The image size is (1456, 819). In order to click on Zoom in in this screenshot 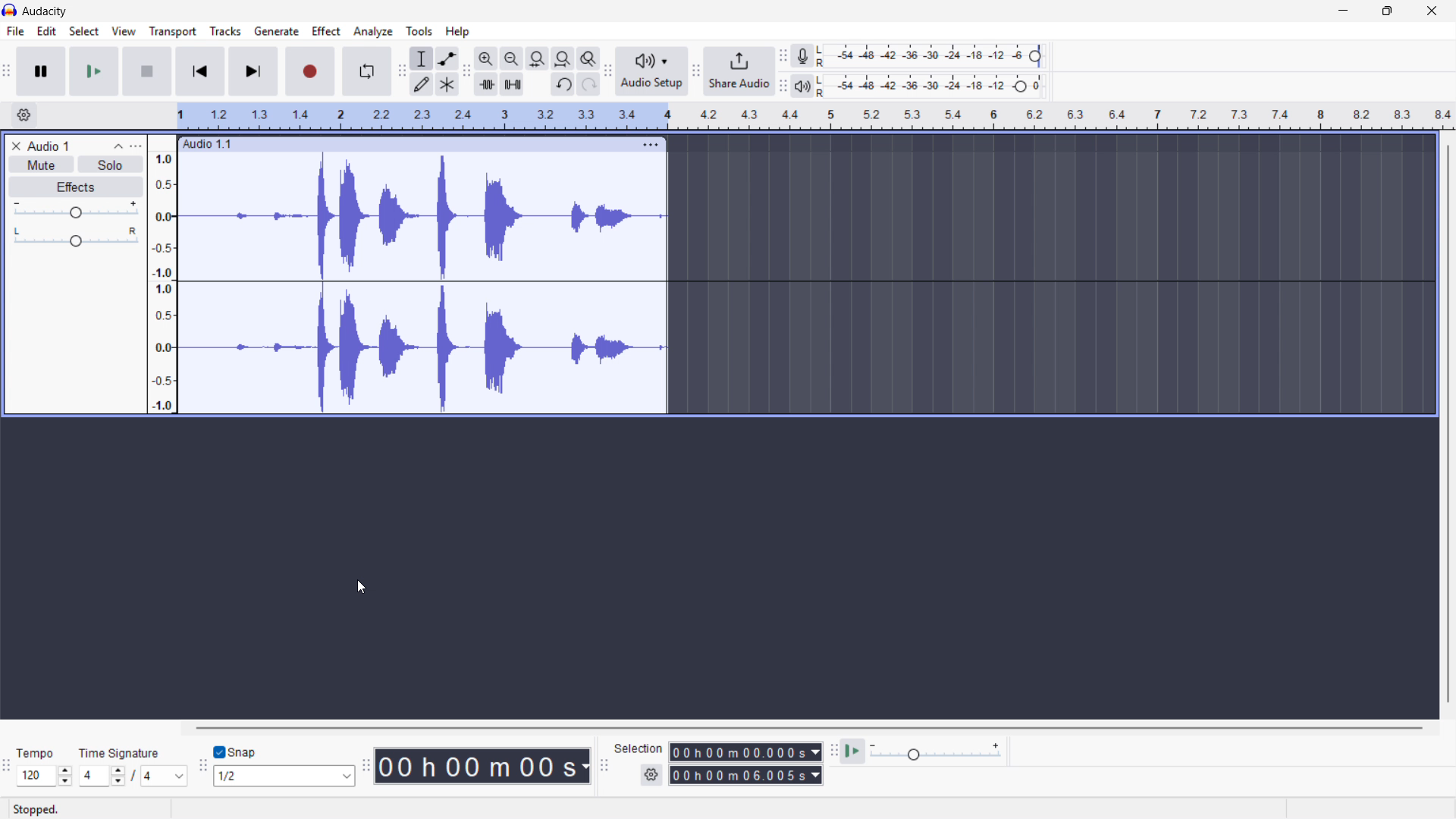, I will do `click(486, 58)`.